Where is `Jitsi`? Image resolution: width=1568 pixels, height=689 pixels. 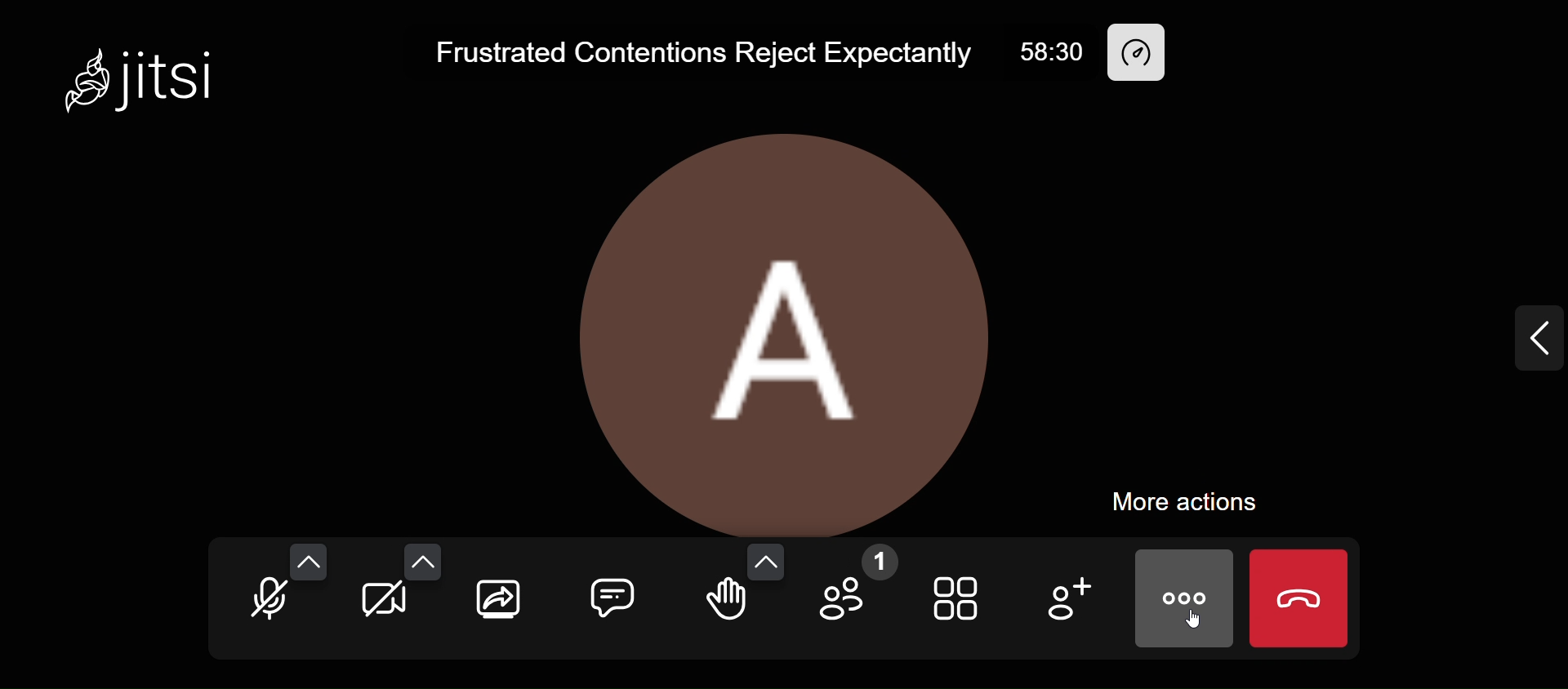 Jitsi is located at coordinates (142, 82).